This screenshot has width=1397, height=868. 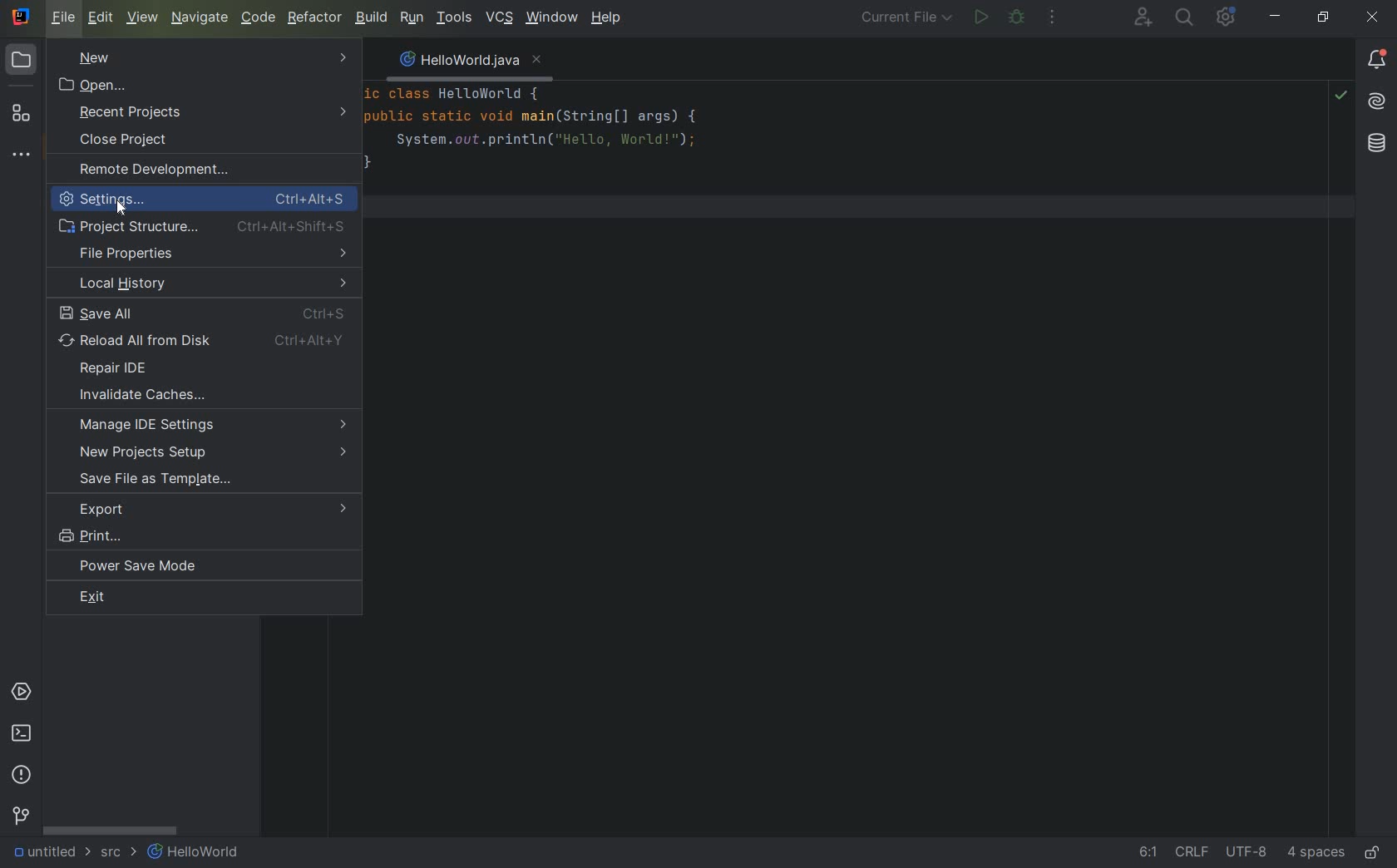 What do you see at coordinates (120, 854) in the screenshot?
I see `SRC` at bounding box center [120, 854].